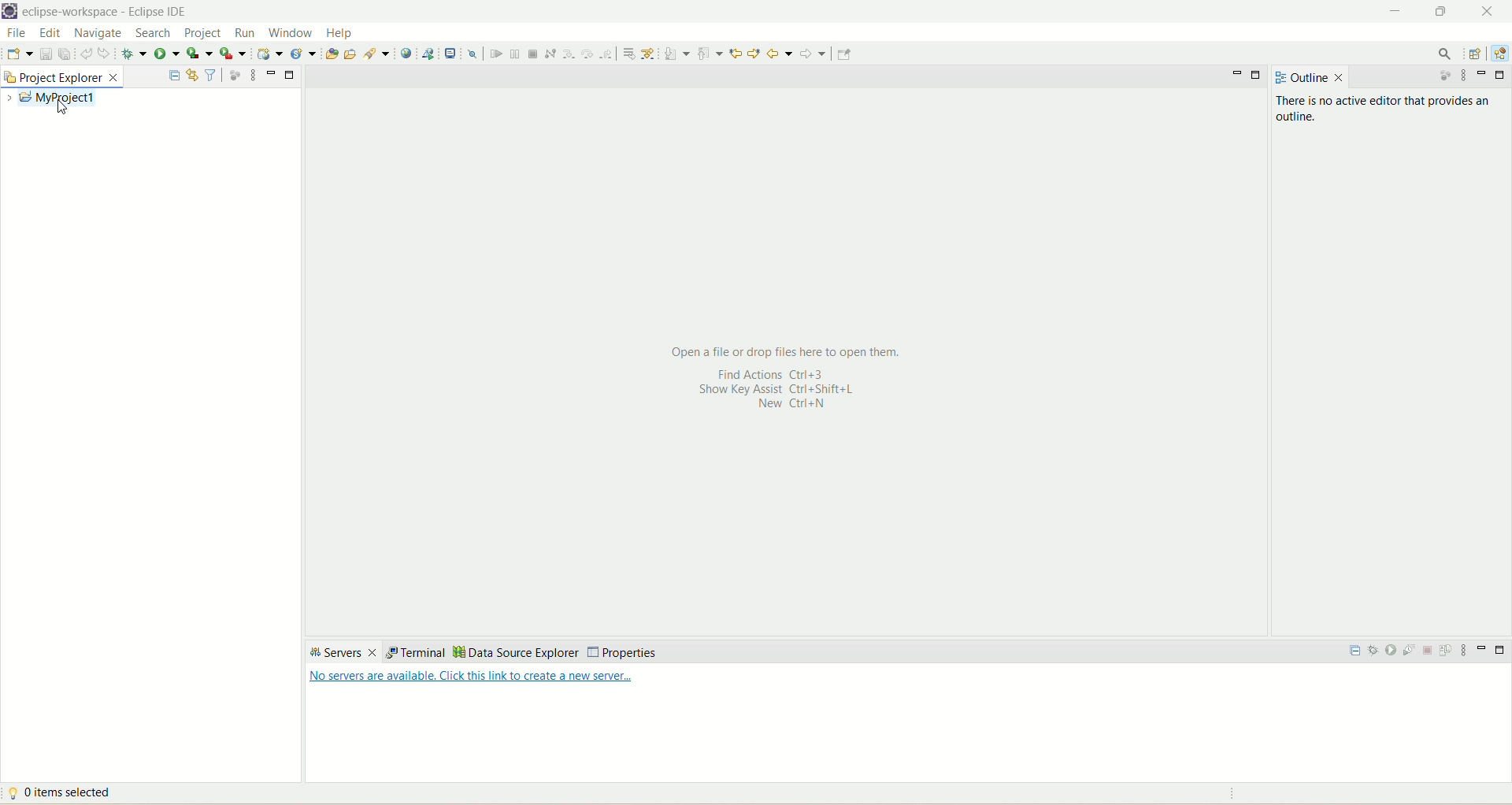 The width and height of the screenshot is (1512, 805). What do you see at coordinates (1480, 653) in the screenshot?
I see `minimize` at bounding box center [1480, 653].